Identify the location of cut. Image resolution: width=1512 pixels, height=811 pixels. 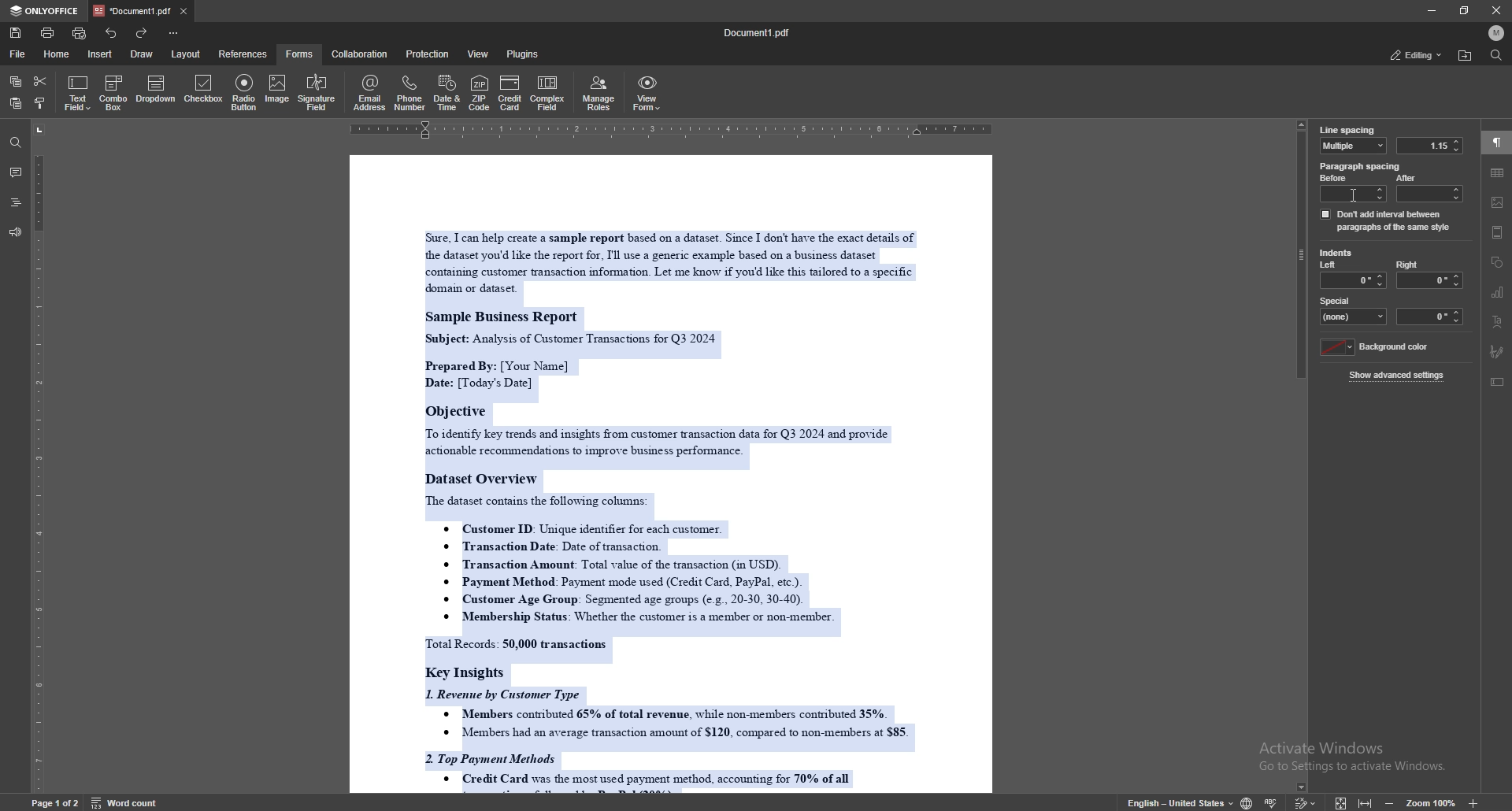
(40, 81).